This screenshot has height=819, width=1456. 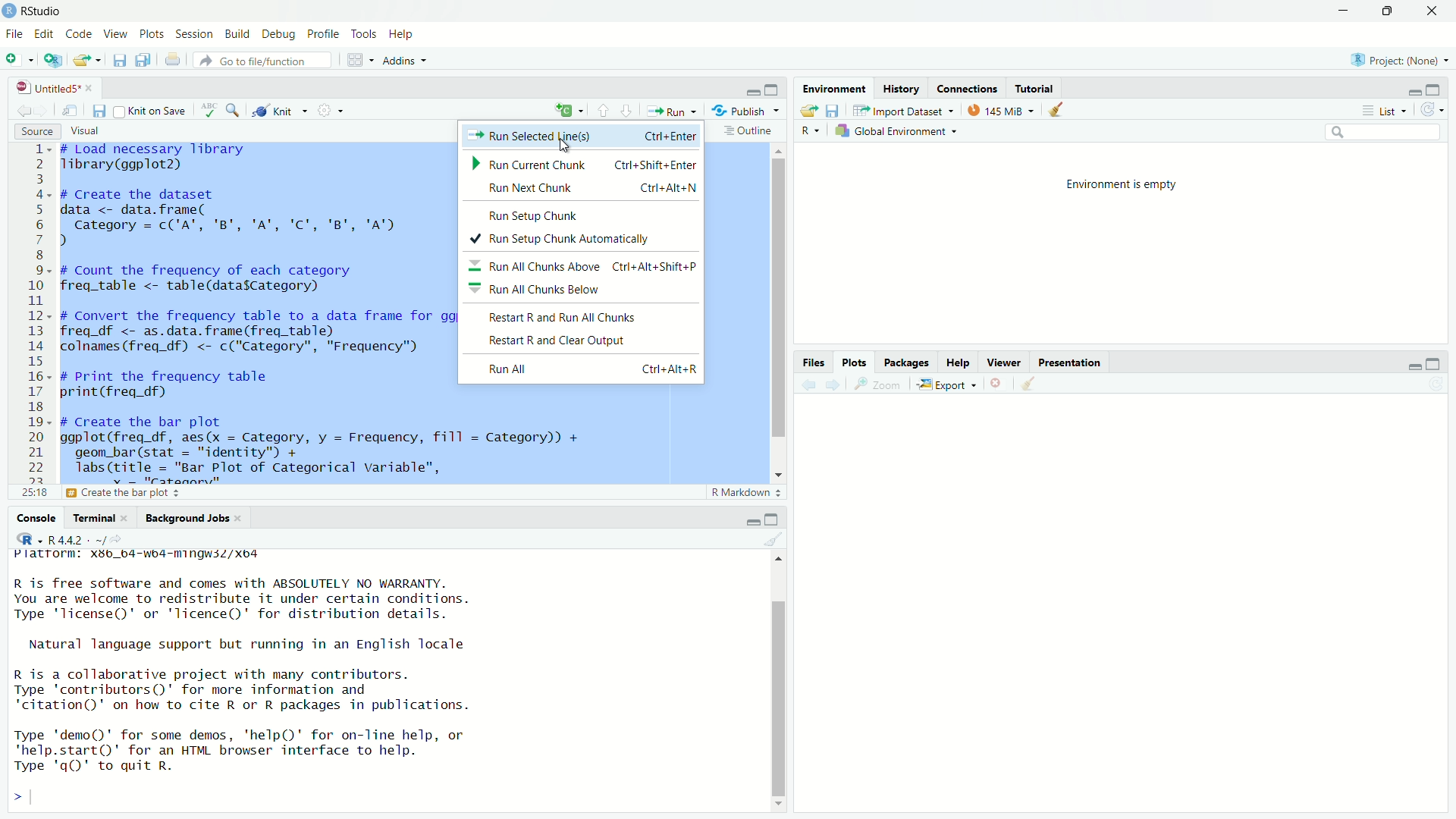 What do you see at coordinates (812, 385) in the screenshot?
I see `back` at bounding box center [812, 385].